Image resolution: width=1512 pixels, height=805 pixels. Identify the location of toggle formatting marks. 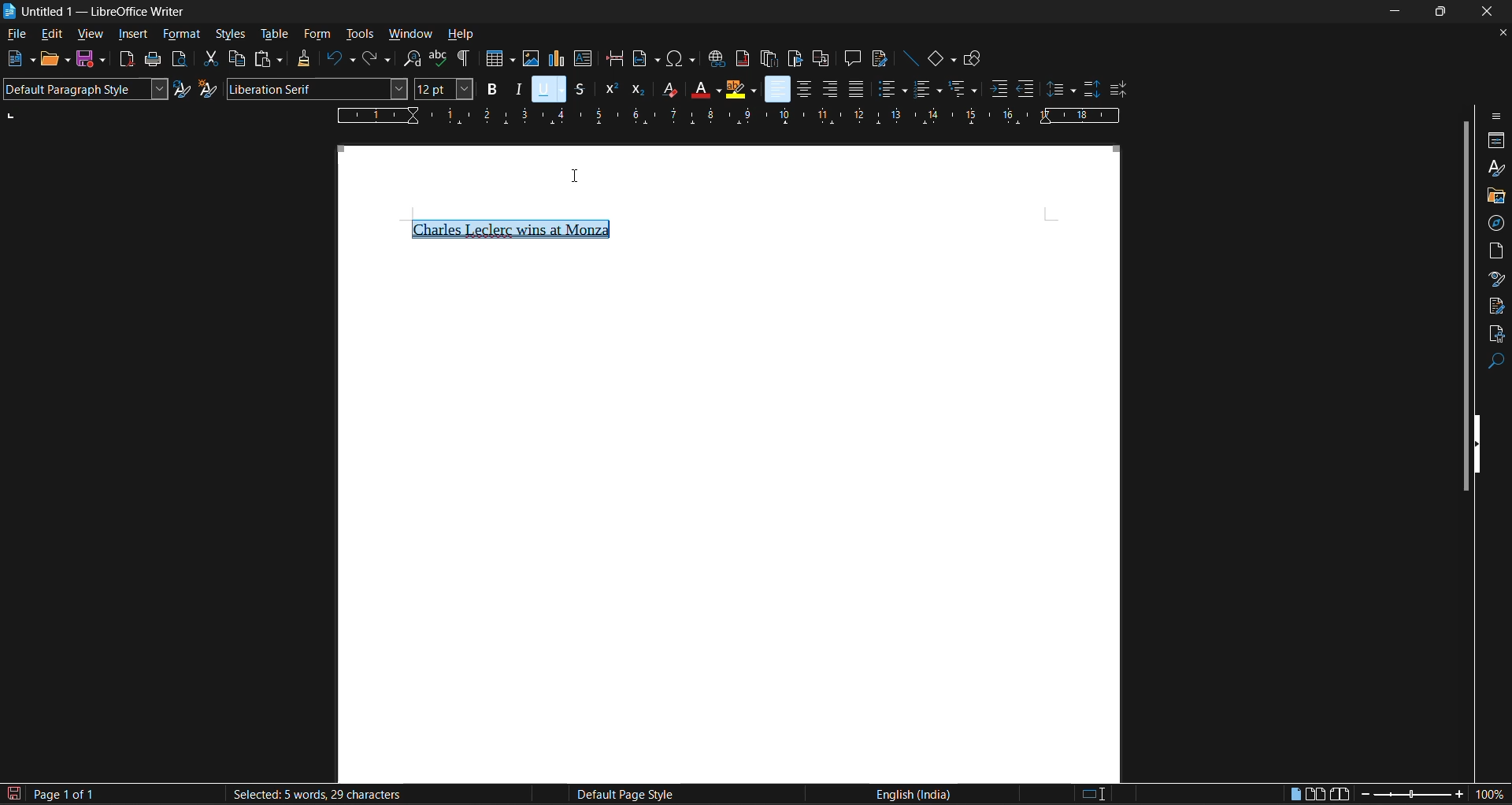
(465, 58).